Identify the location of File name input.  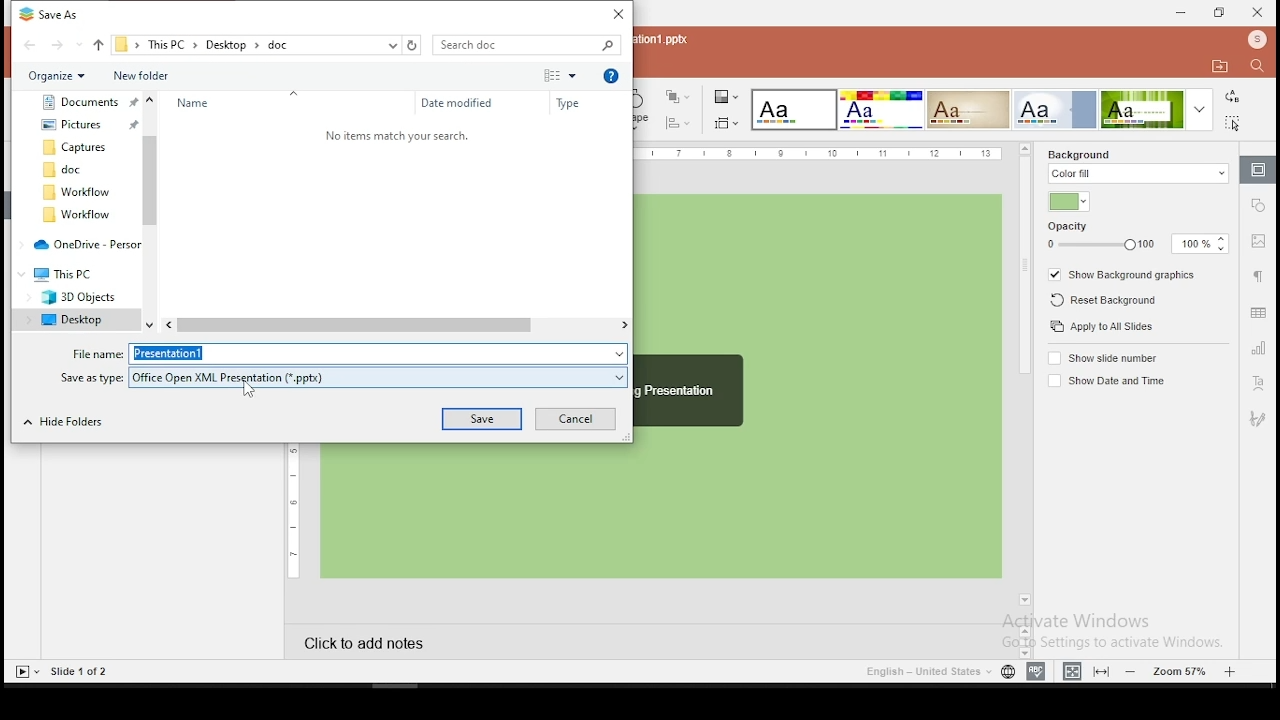
(379, 354).